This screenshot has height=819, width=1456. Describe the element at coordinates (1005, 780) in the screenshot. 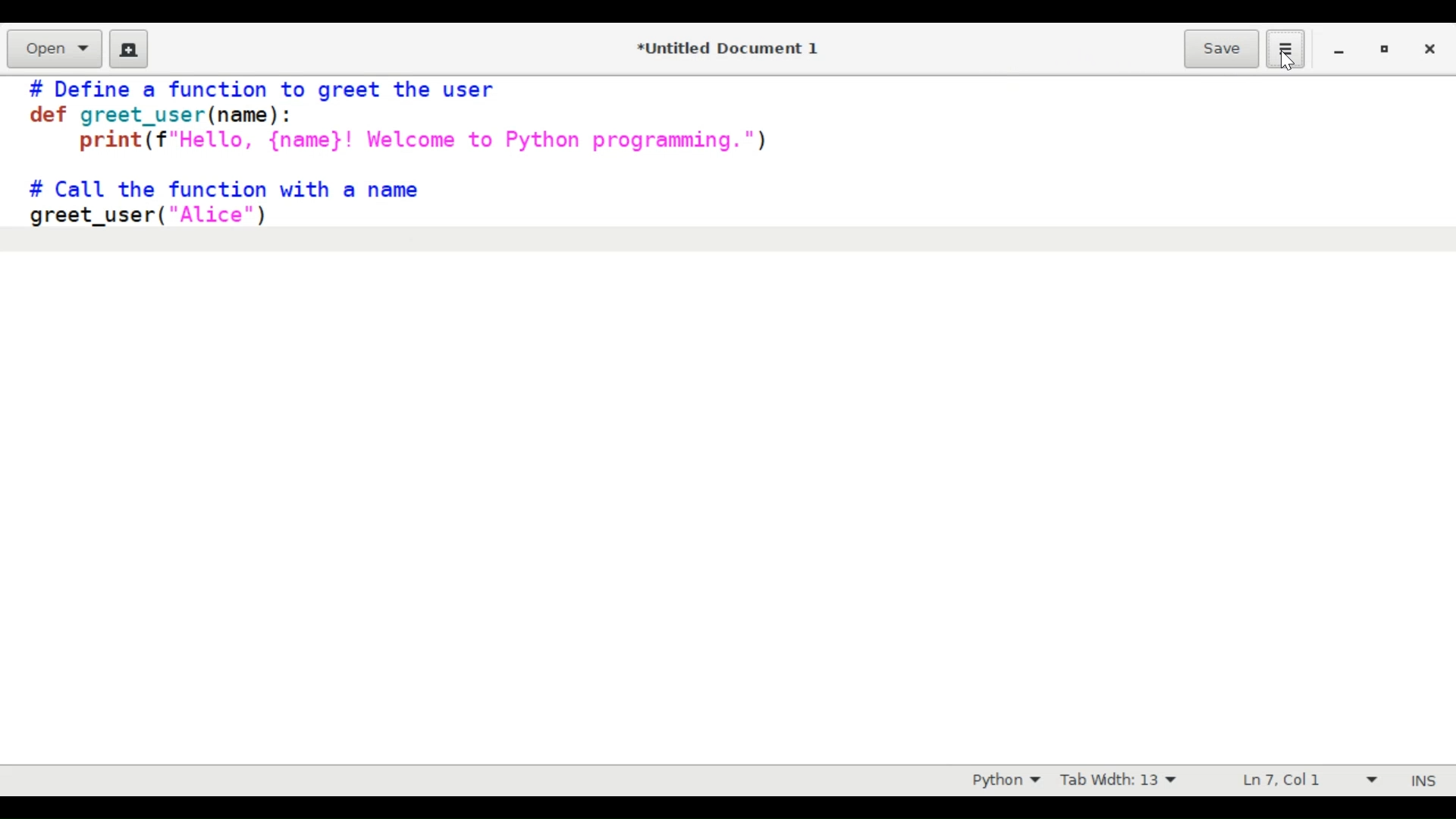

I see `Highlighting mode` at that location.